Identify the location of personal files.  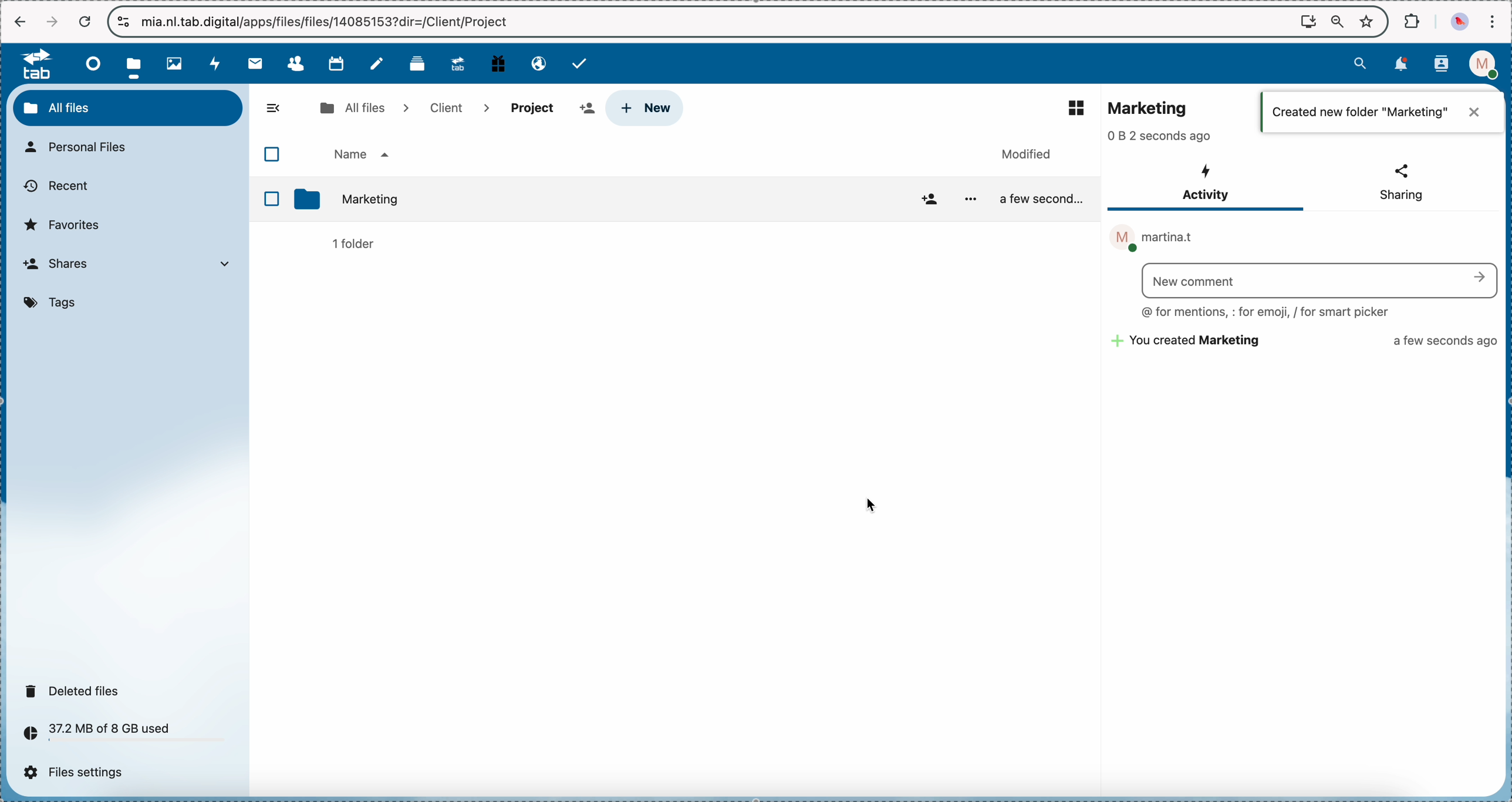
(82, 148).